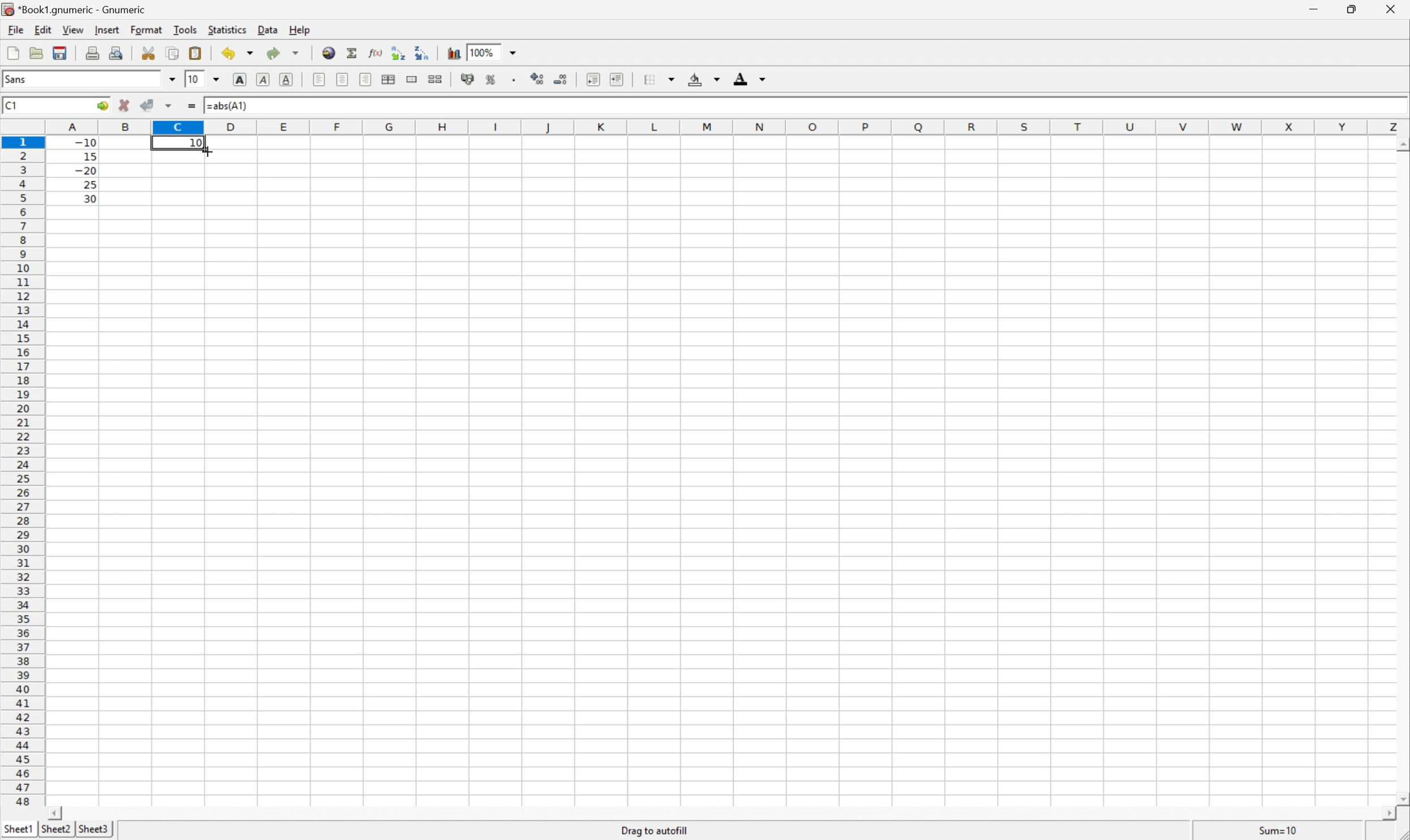  I want to click on 25, so click(89, 185).